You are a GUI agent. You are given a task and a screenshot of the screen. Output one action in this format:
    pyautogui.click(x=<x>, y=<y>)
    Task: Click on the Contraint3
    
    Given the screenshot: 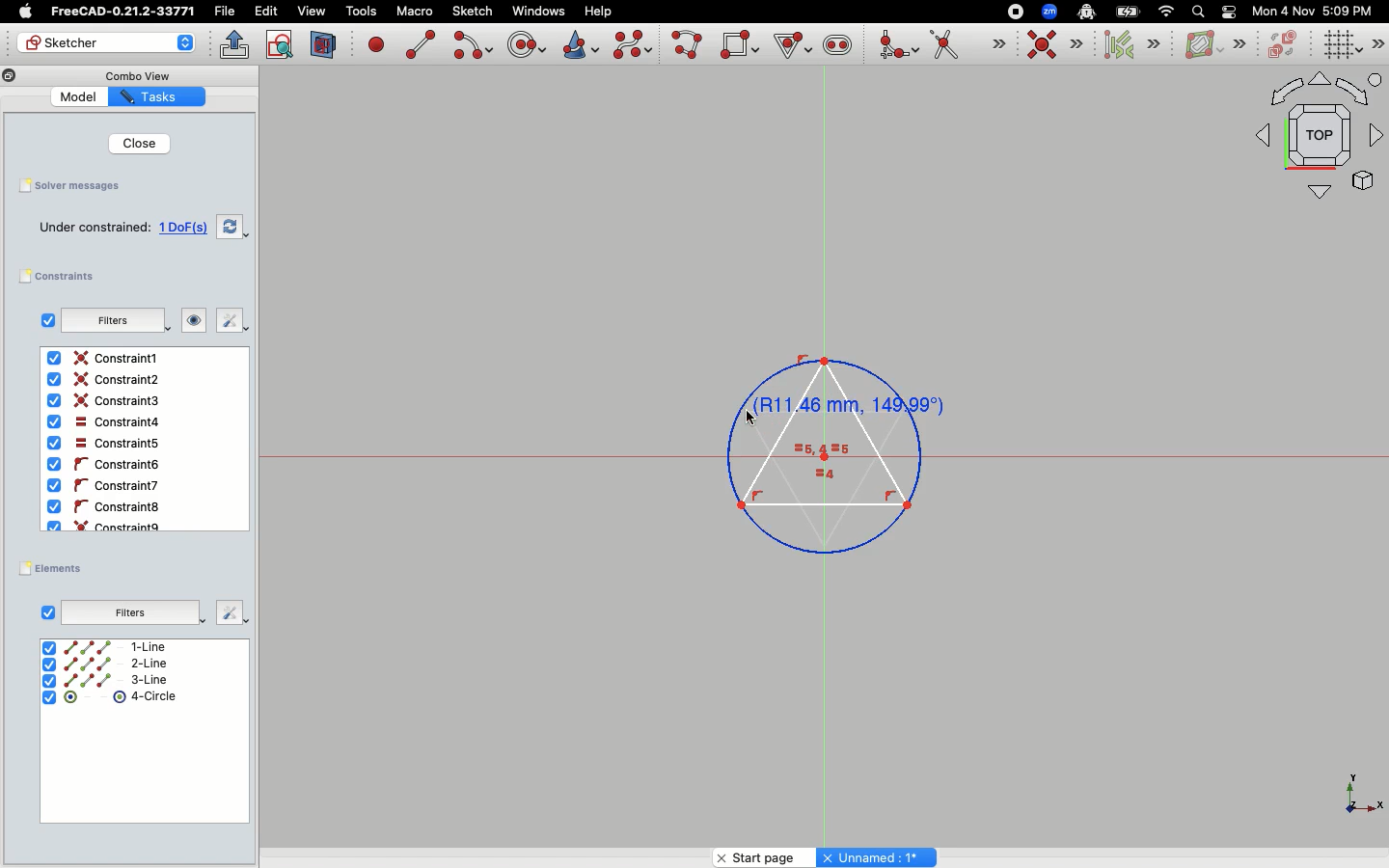 What is the action you would take?
    pyautogui.click(x=107, y=401)
    